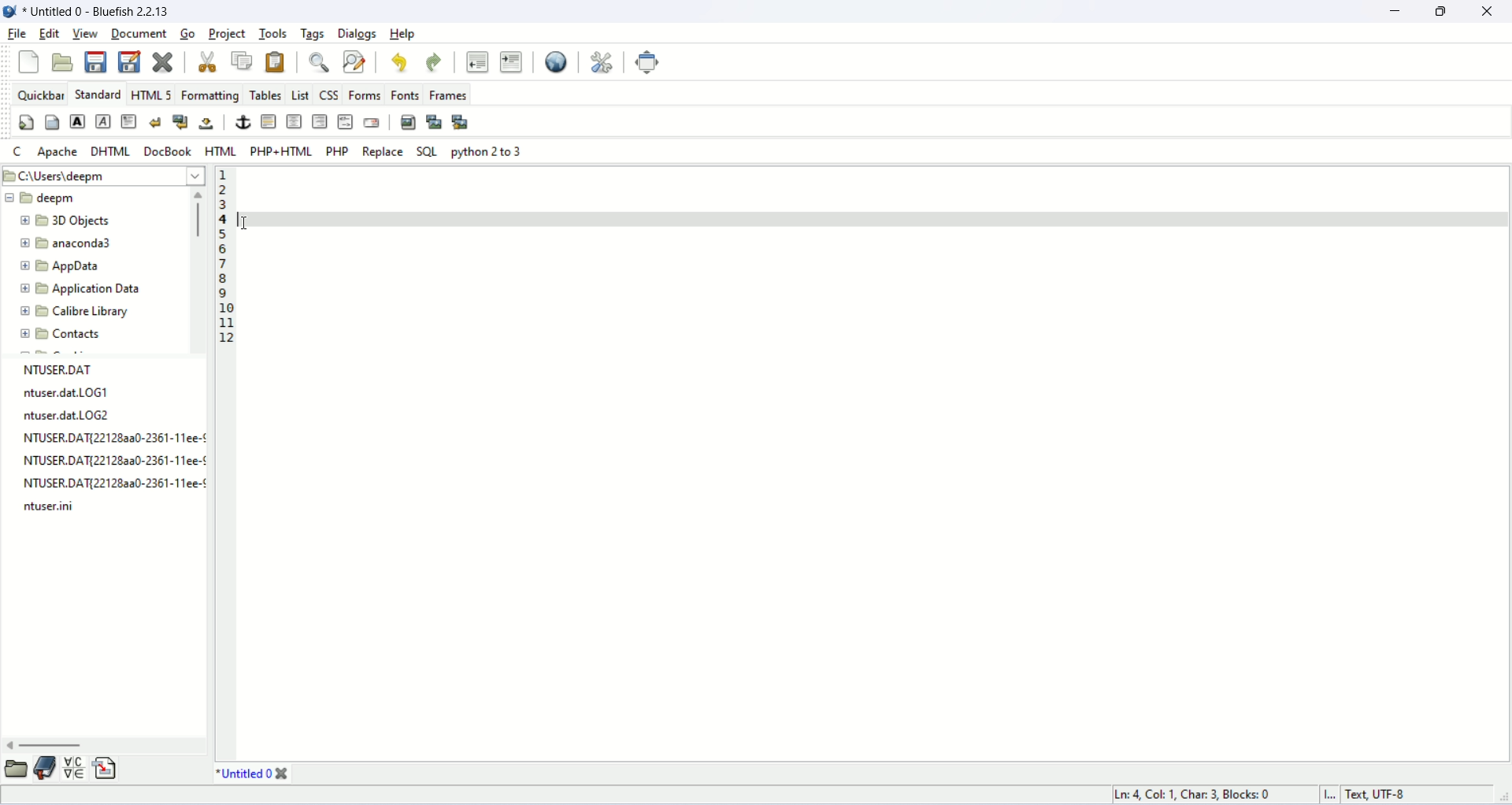 Image resolution: width=1512 pixels, height=805 pixels. I want to click on copy, so click(244, 61).